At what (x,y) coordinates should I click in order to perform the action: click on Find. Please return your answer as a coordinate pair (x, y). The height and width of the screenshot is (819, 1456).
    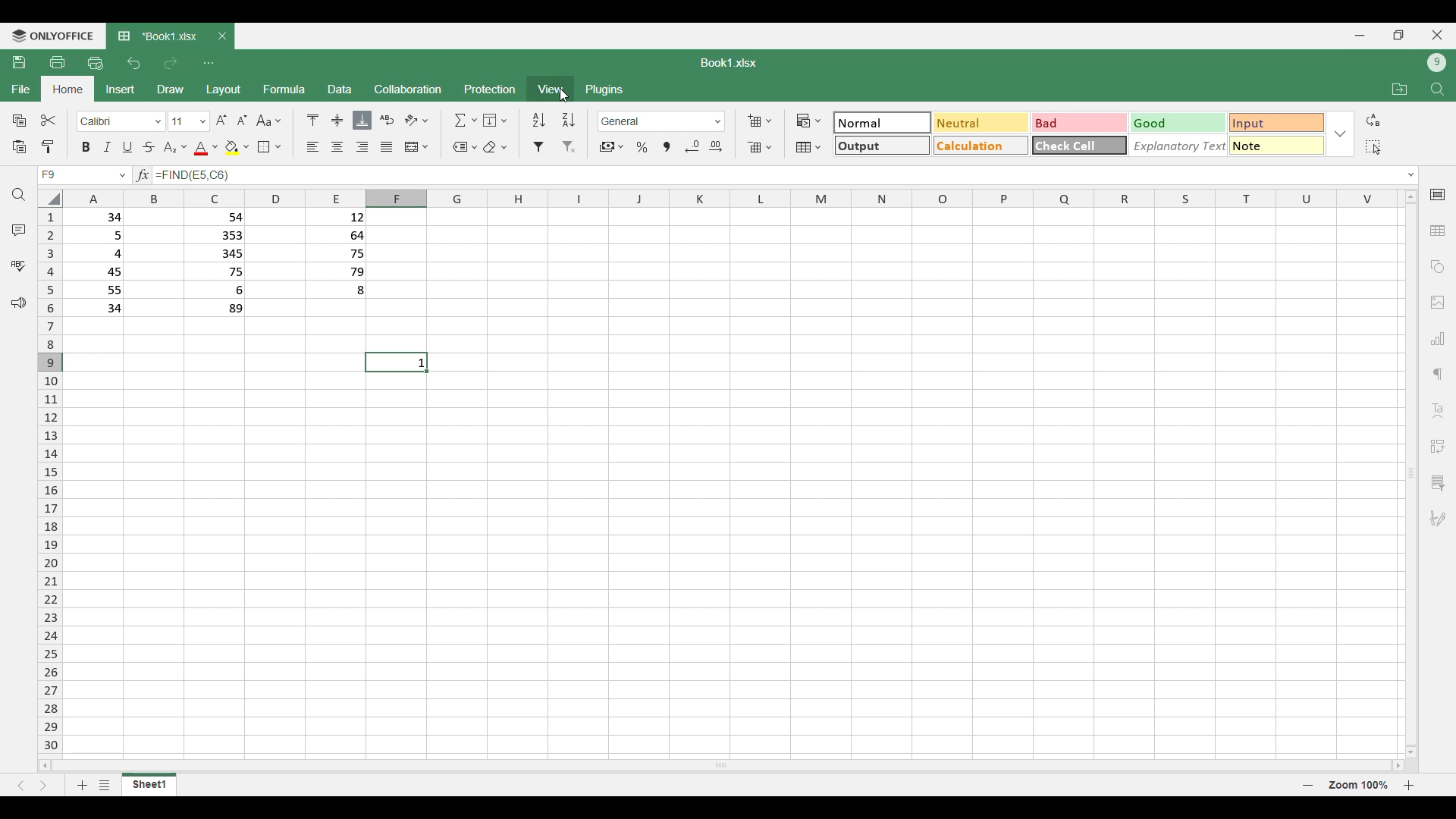
    Looking at the image, I should click on (17, 194).